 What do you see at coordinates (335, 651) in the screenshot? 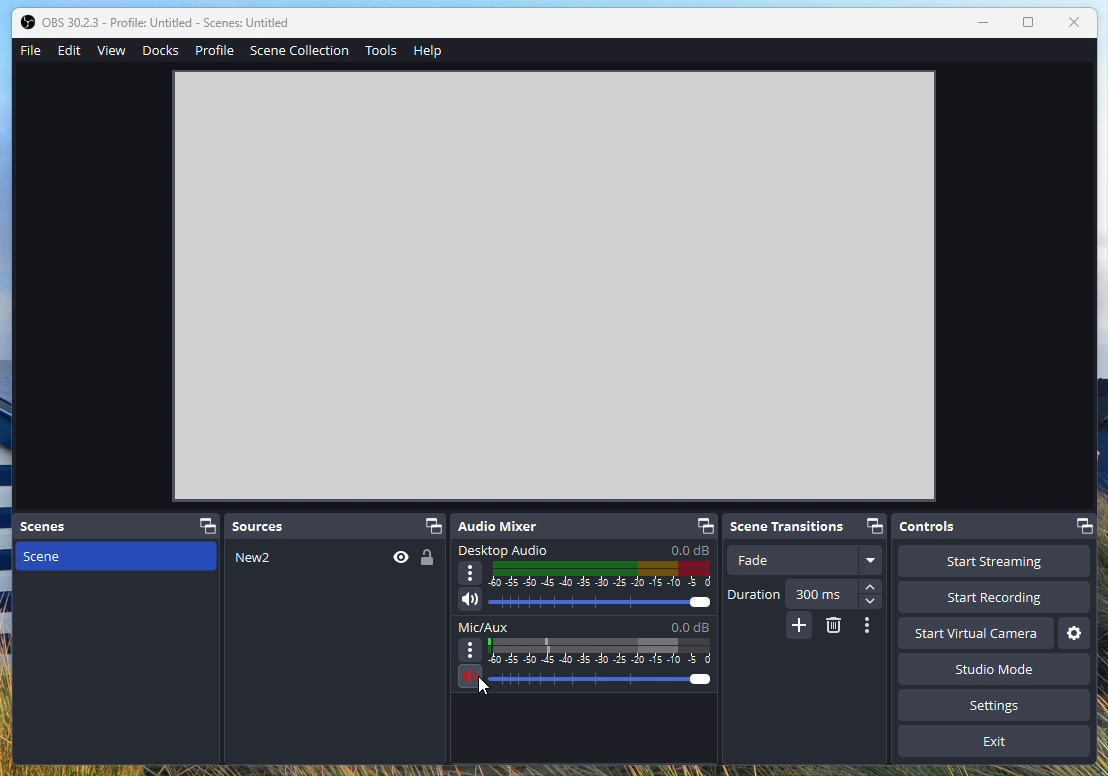
I see `New2` at bounding box center [335, 651].